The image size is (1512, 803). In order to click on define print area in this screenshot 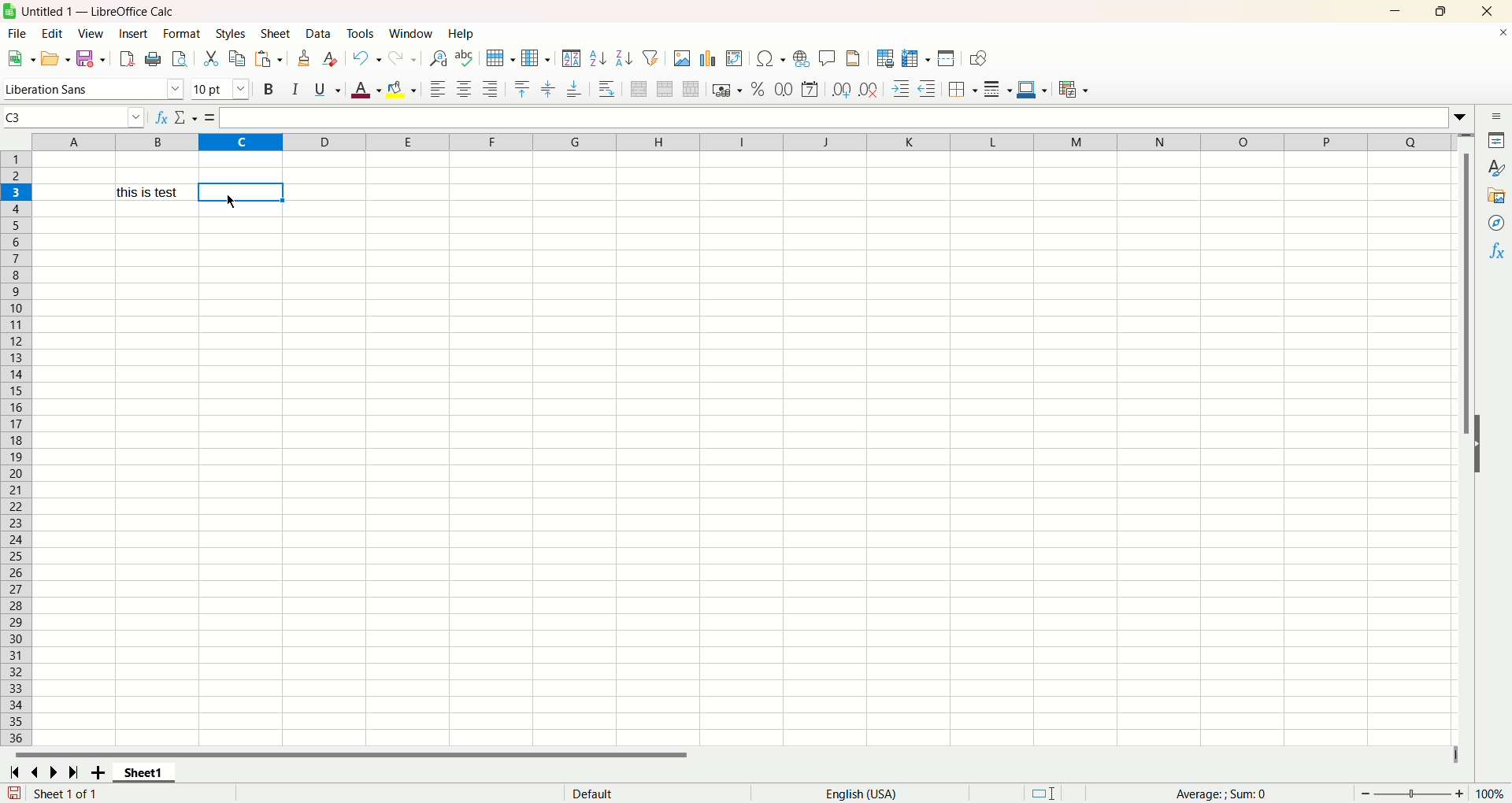, I will do `click(884, 58)`.